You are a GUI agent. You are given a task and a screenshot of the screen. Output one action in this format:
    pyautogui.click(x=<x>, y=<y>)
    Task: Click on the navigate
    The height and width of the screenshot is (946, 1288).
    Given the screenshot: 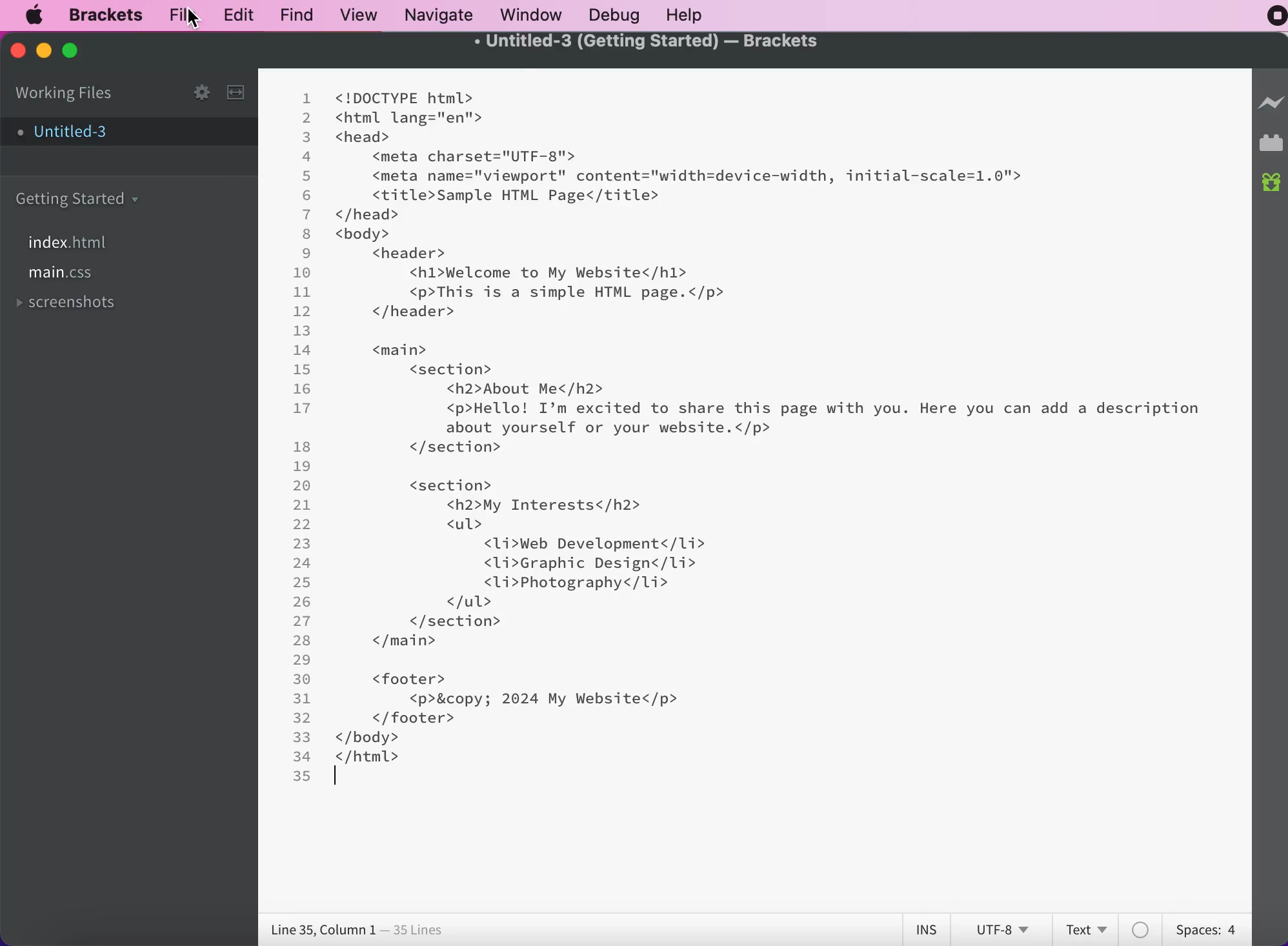 What is the action you would take?
    pyautogui.click(x=443, y=14)
    